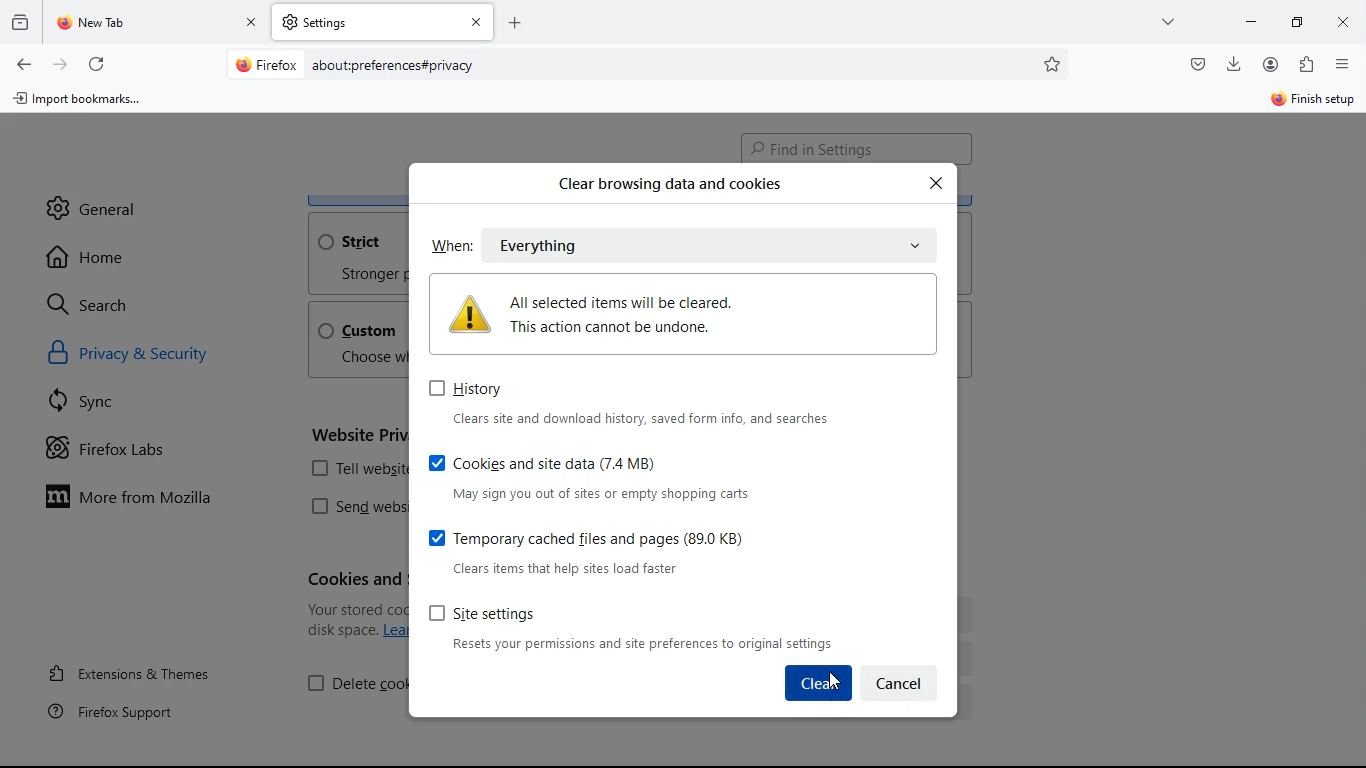 The height and width of the screenshot is (768, 1366). I want to click on everything, so click(616, 245).